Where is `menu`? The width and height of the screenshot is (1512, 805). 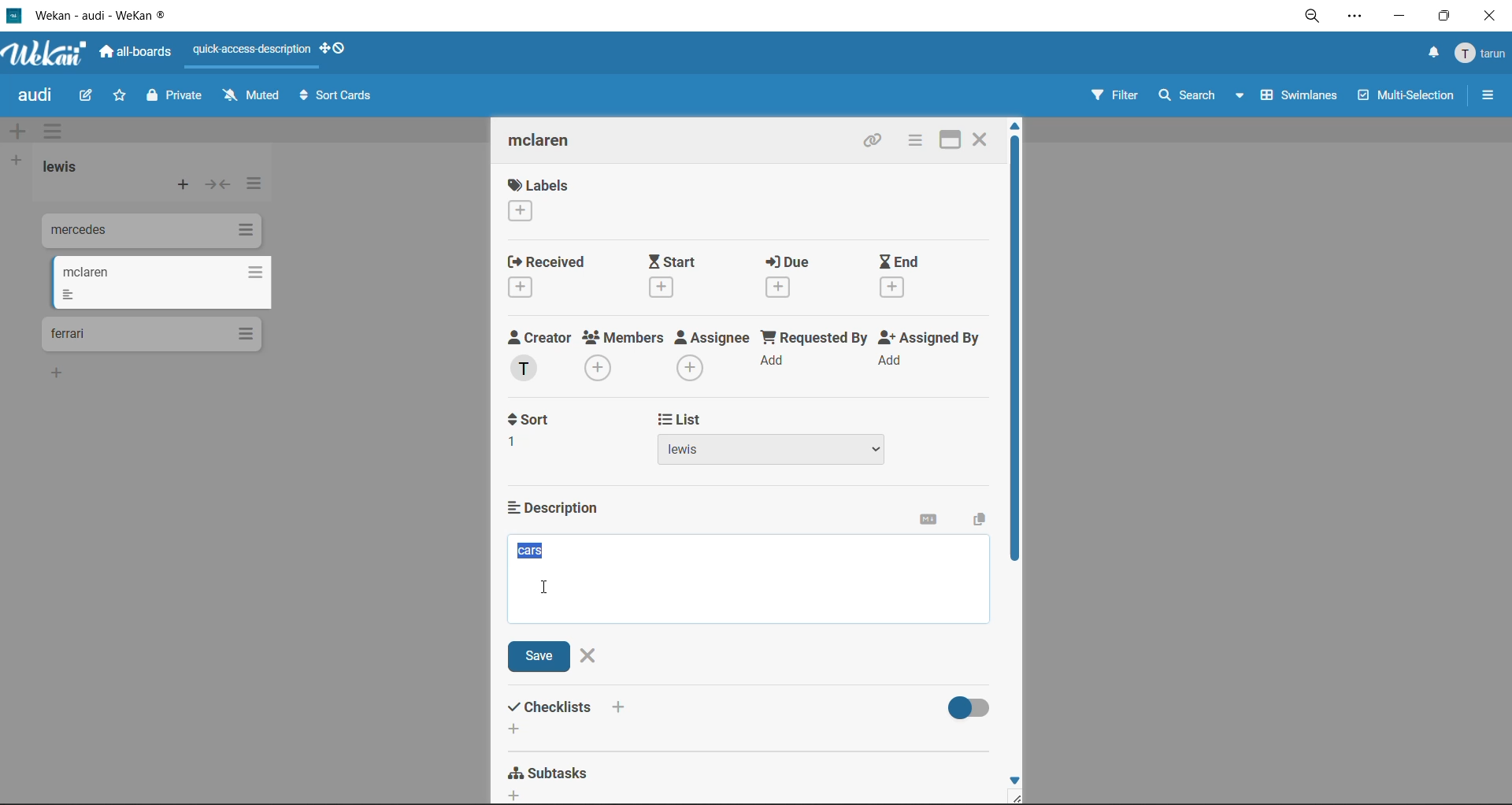
menu is located at coordinates (1482, 54).